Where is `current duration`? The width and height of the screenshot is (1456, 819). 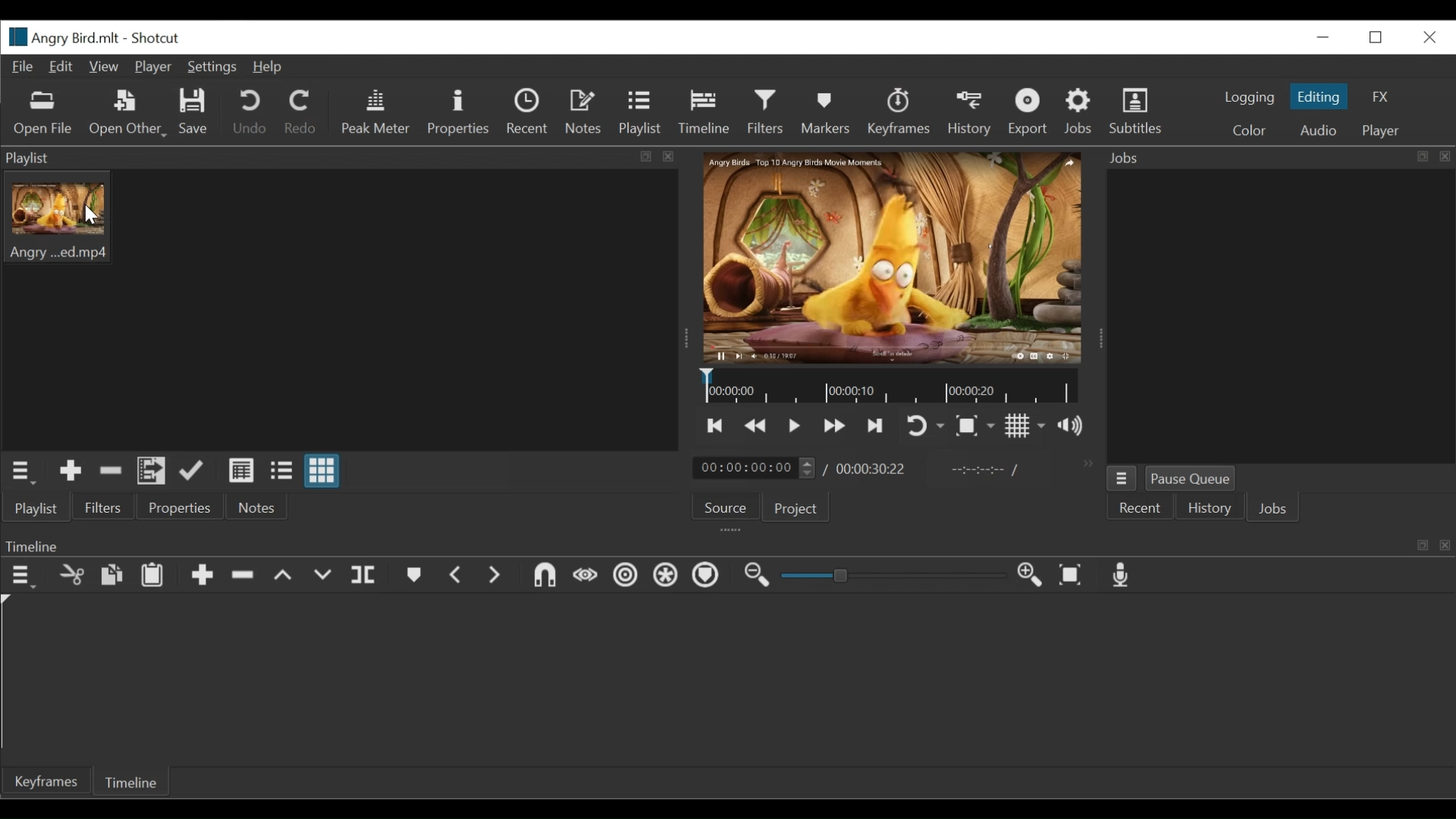 current duration is located at coordinates (753, 468).